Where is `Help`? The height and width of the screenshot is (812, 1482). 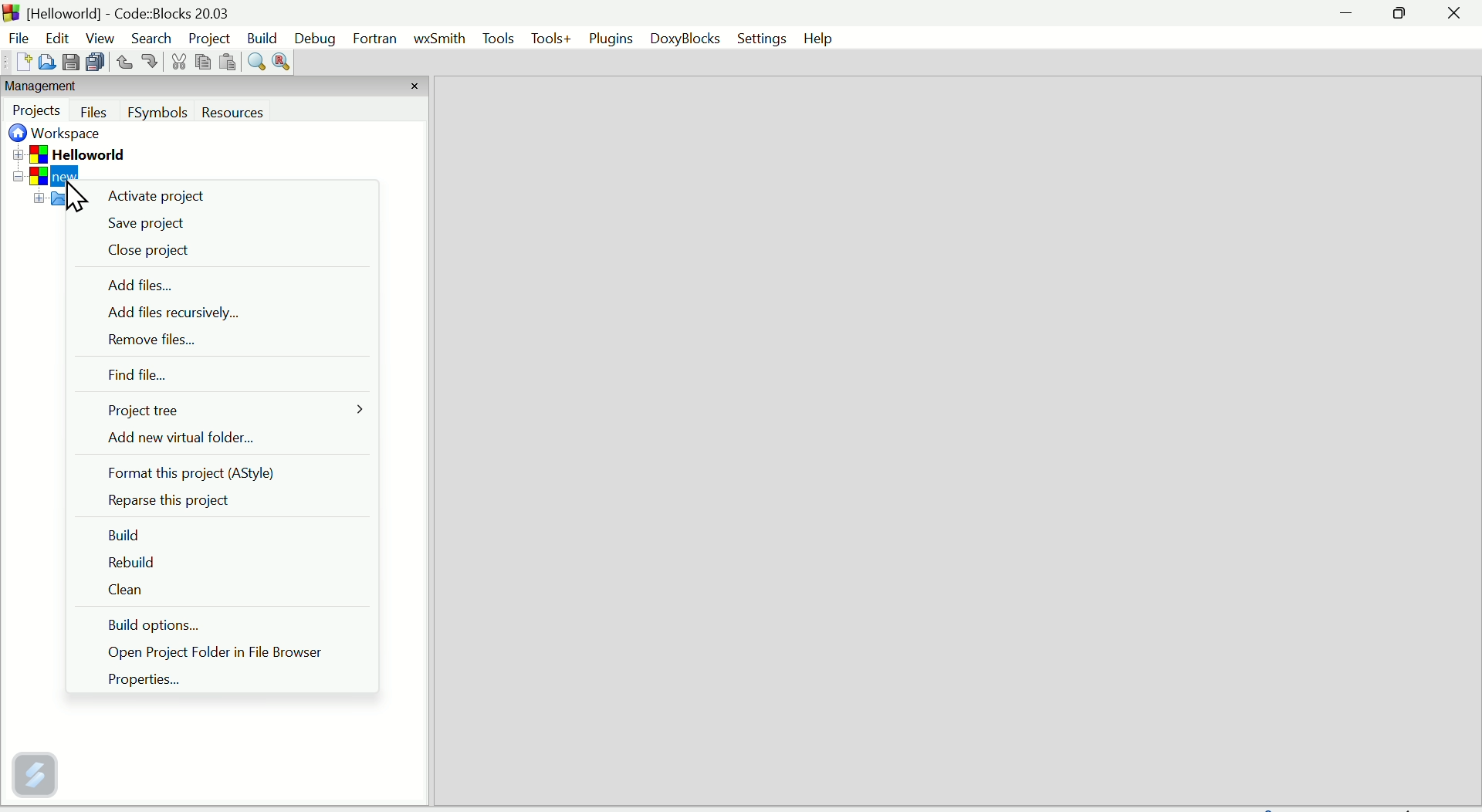
Help is located at coordinates (820, 36).